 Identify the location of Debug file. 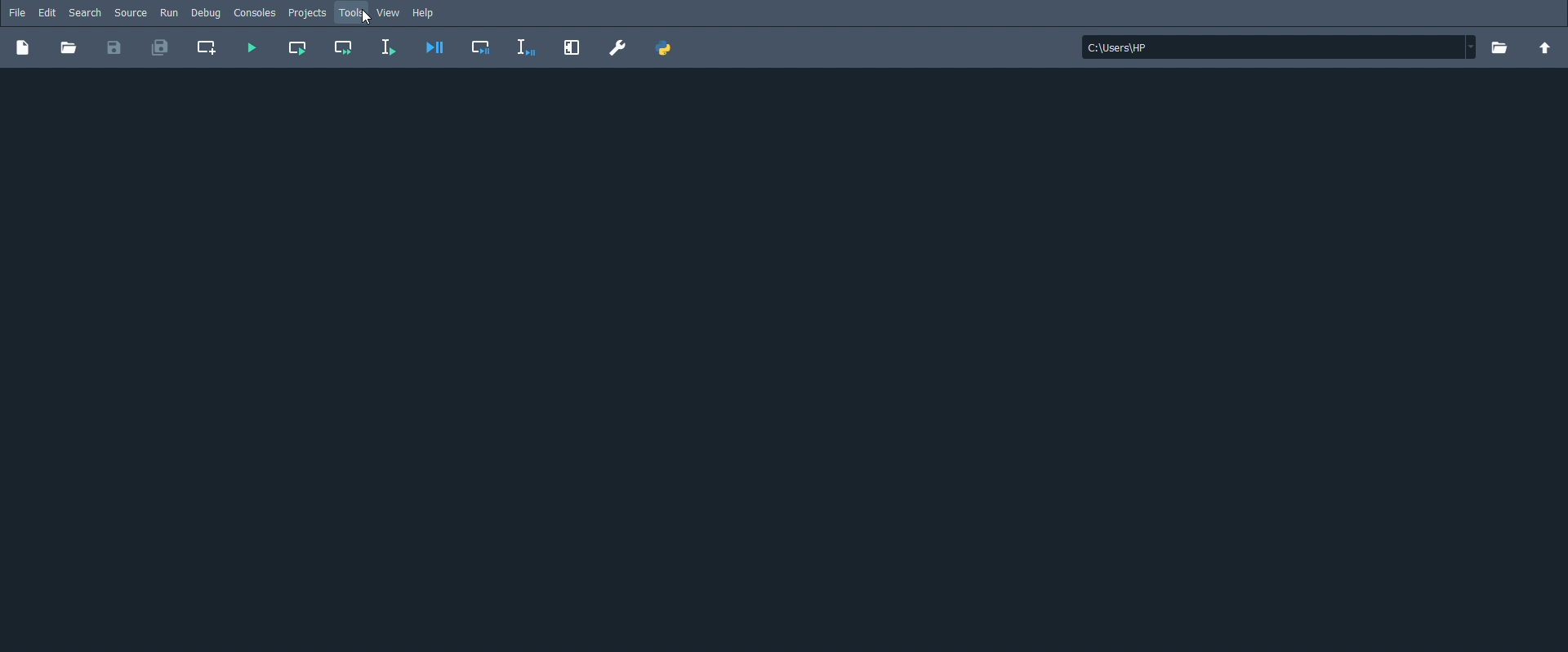
(437, 48).